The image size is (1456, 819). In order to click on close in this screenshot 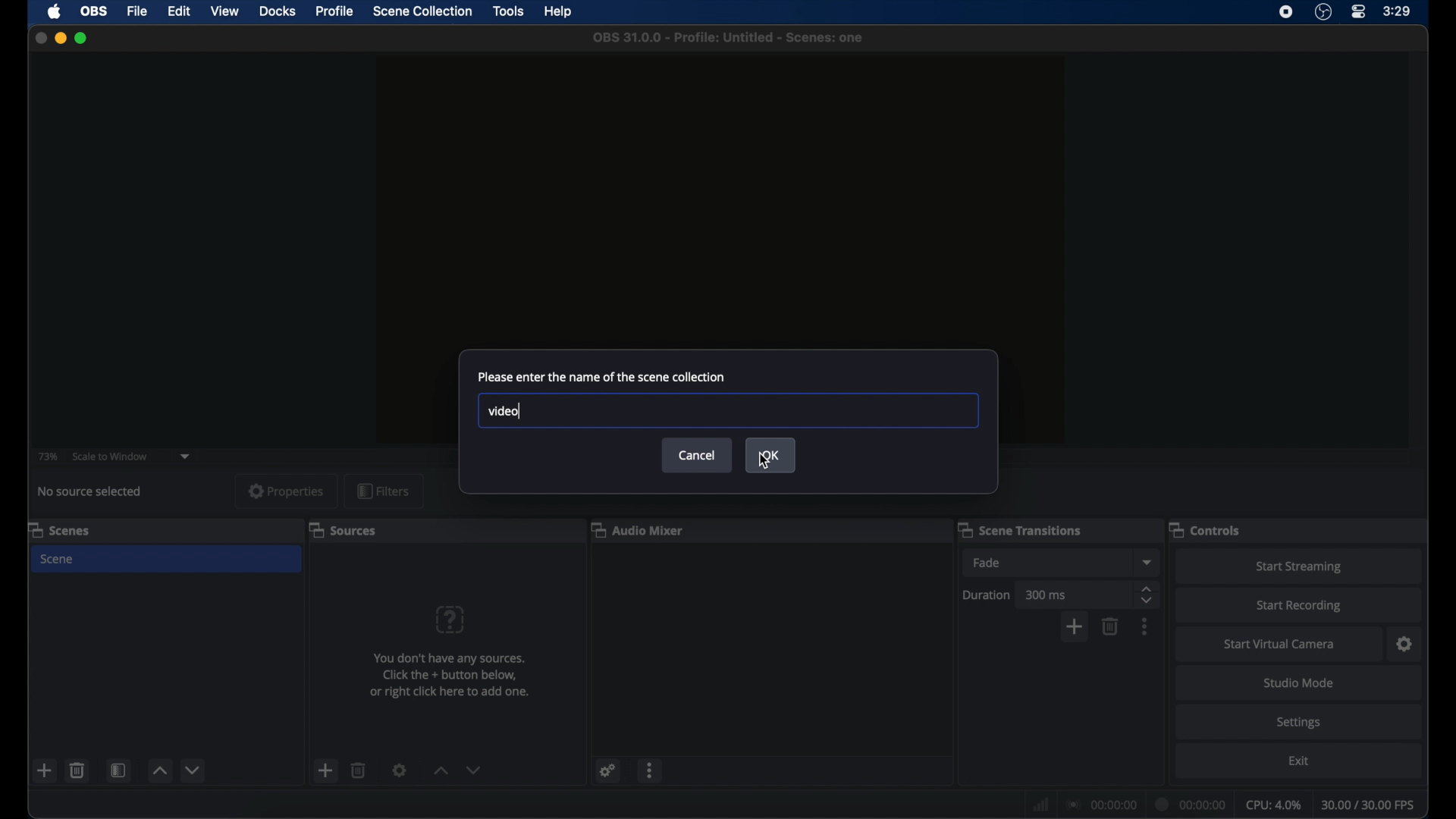, I will do `click(40, 39)`.